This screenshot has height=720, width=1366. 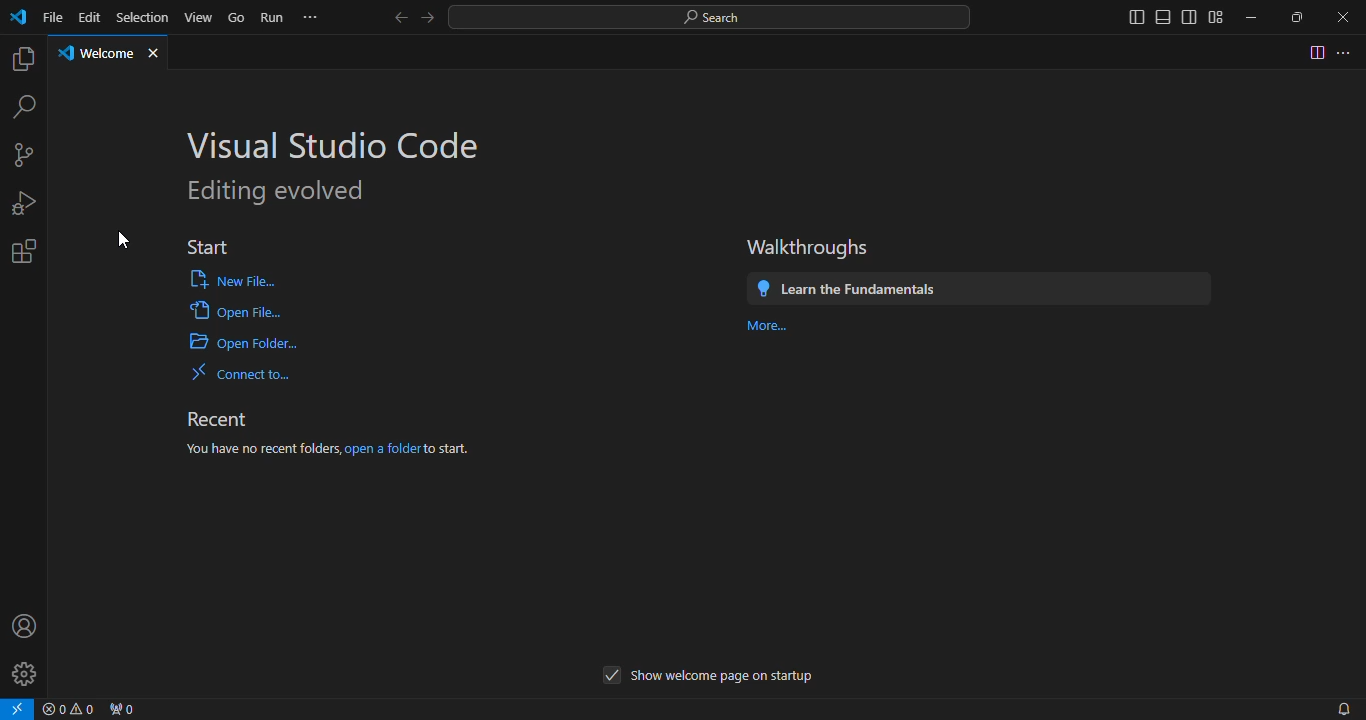 What do you see at coordinates (764, 324) in the screenshot?
I see `More` at bounding box center [764, 324].